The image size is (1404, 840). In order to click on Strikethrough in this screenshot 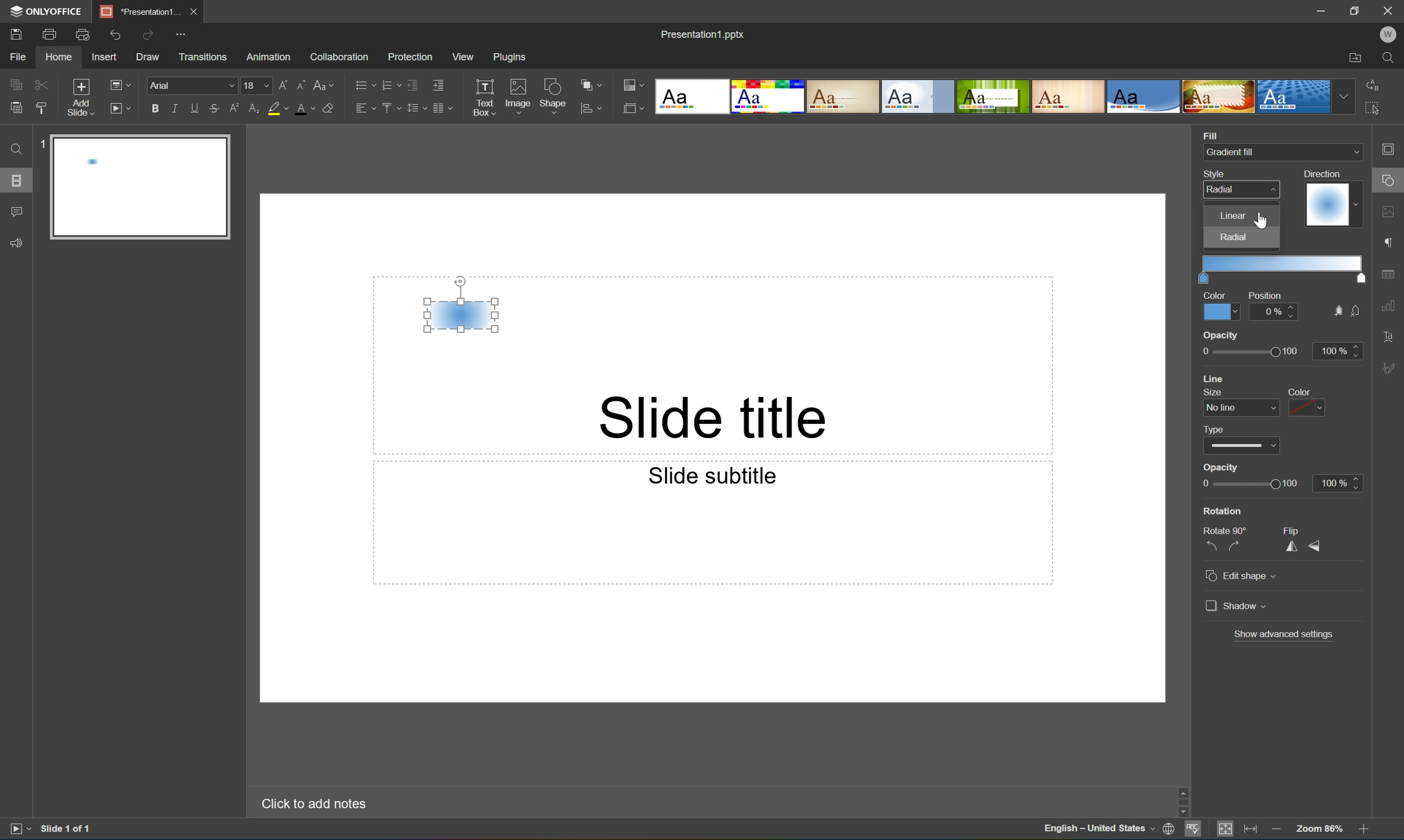, I will do `click(214, 109)`.